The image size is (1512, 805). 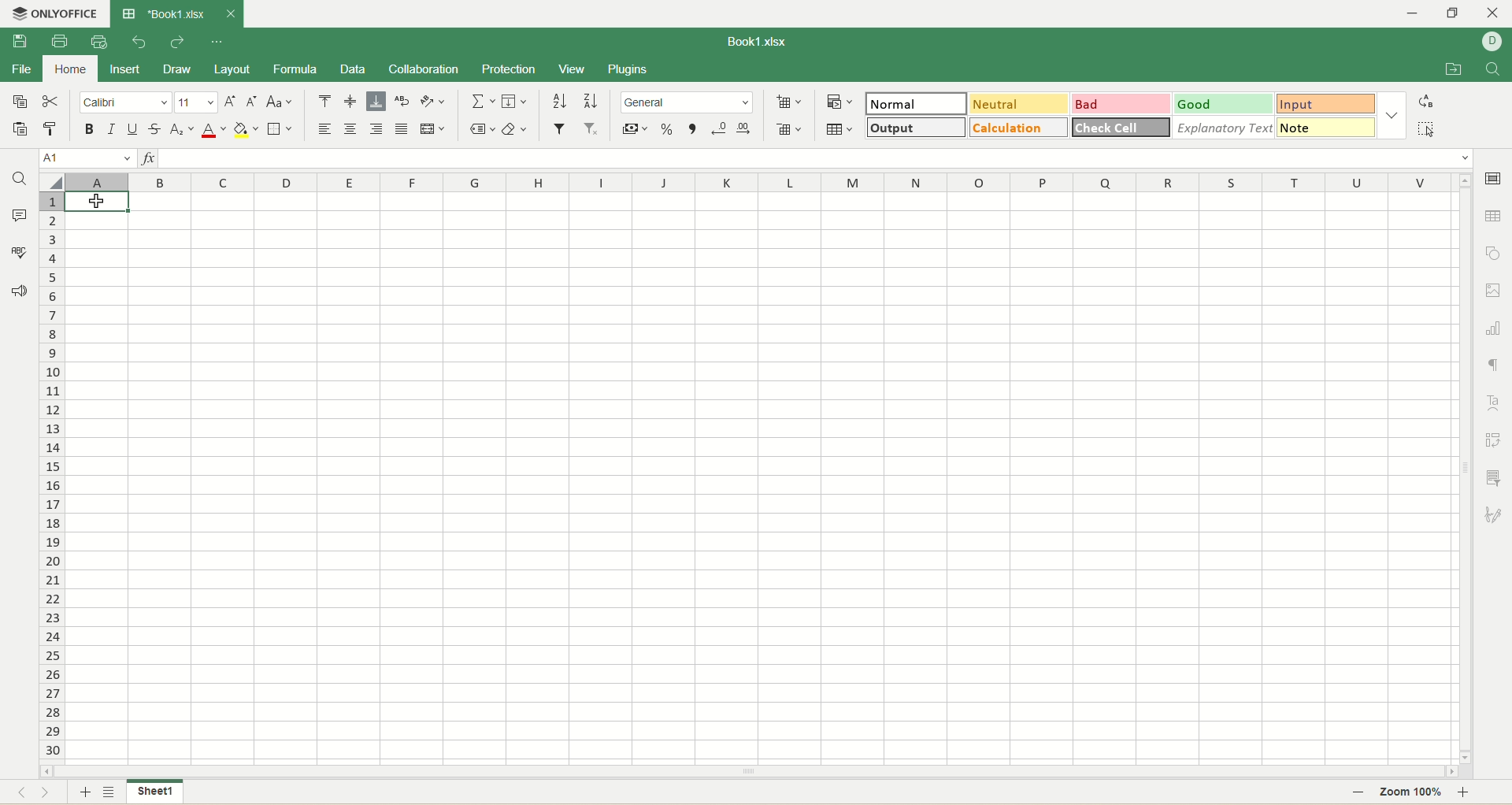 I want to click on input, so click(x=1326, y=105).